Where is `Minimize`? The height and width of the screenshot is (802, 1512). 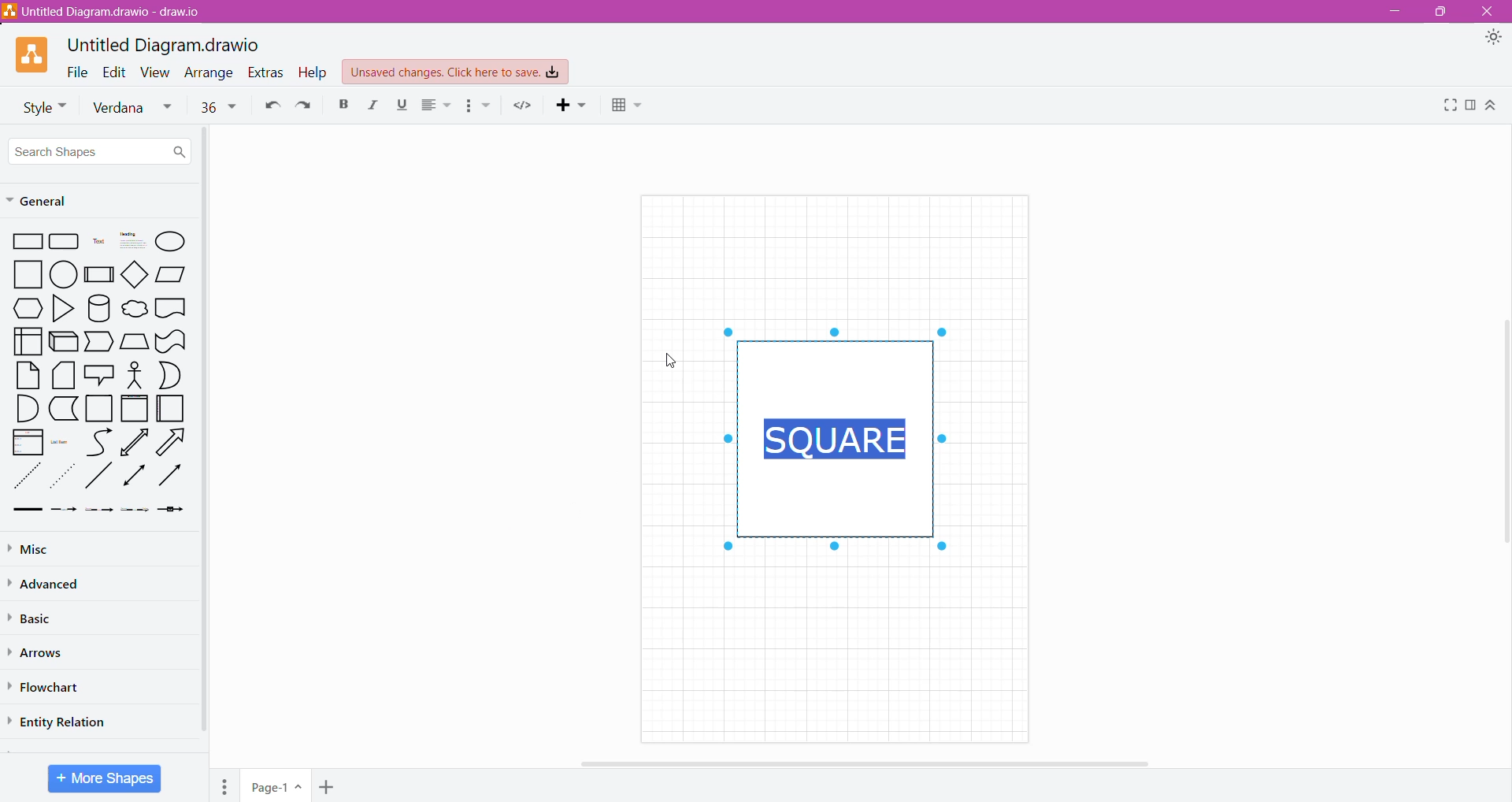
Minimize is located at coordinates (1399, 13).